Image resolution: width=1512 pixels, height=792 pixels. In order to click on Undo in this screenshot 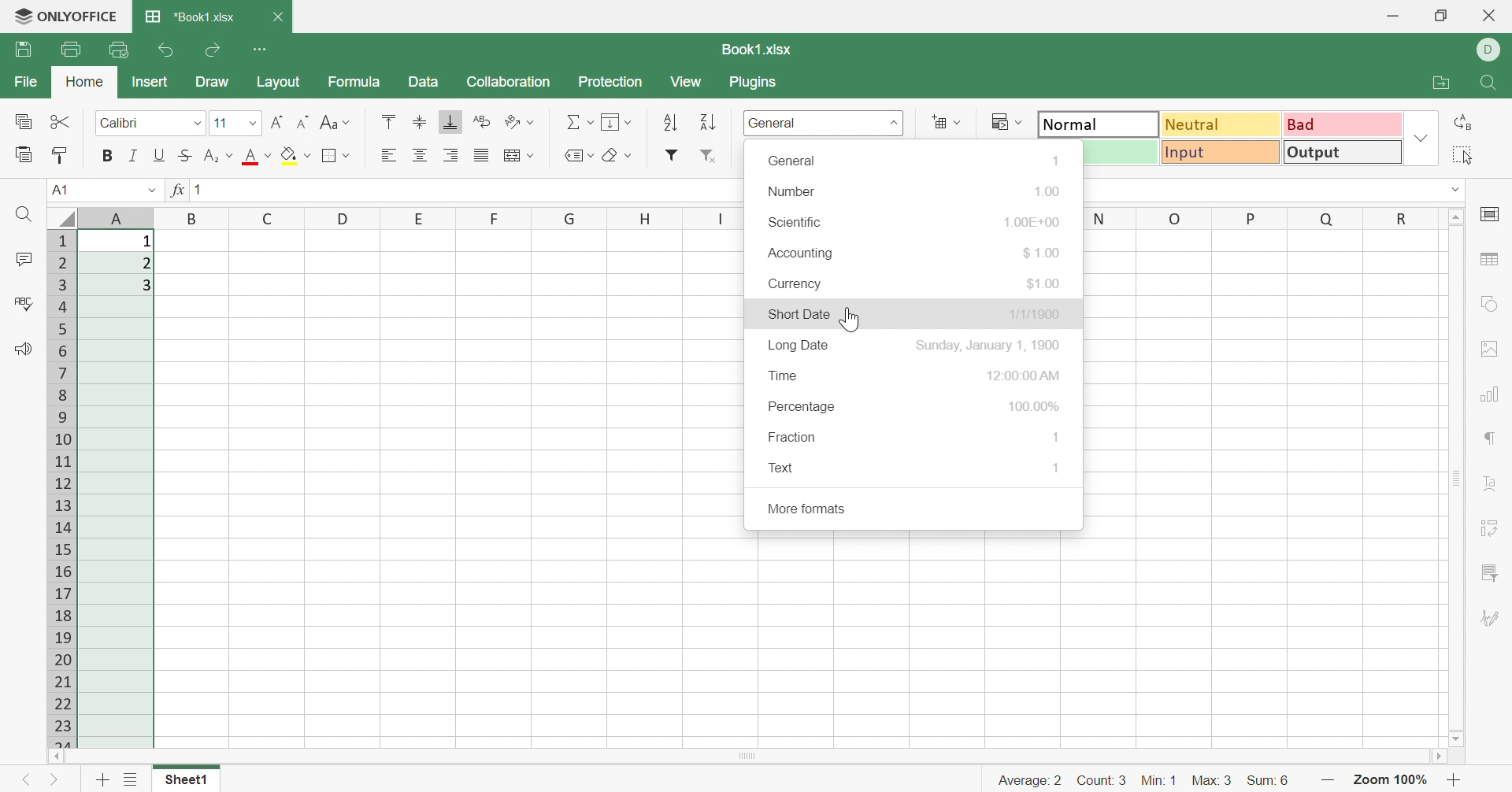, I will do `click(169, 49)`.